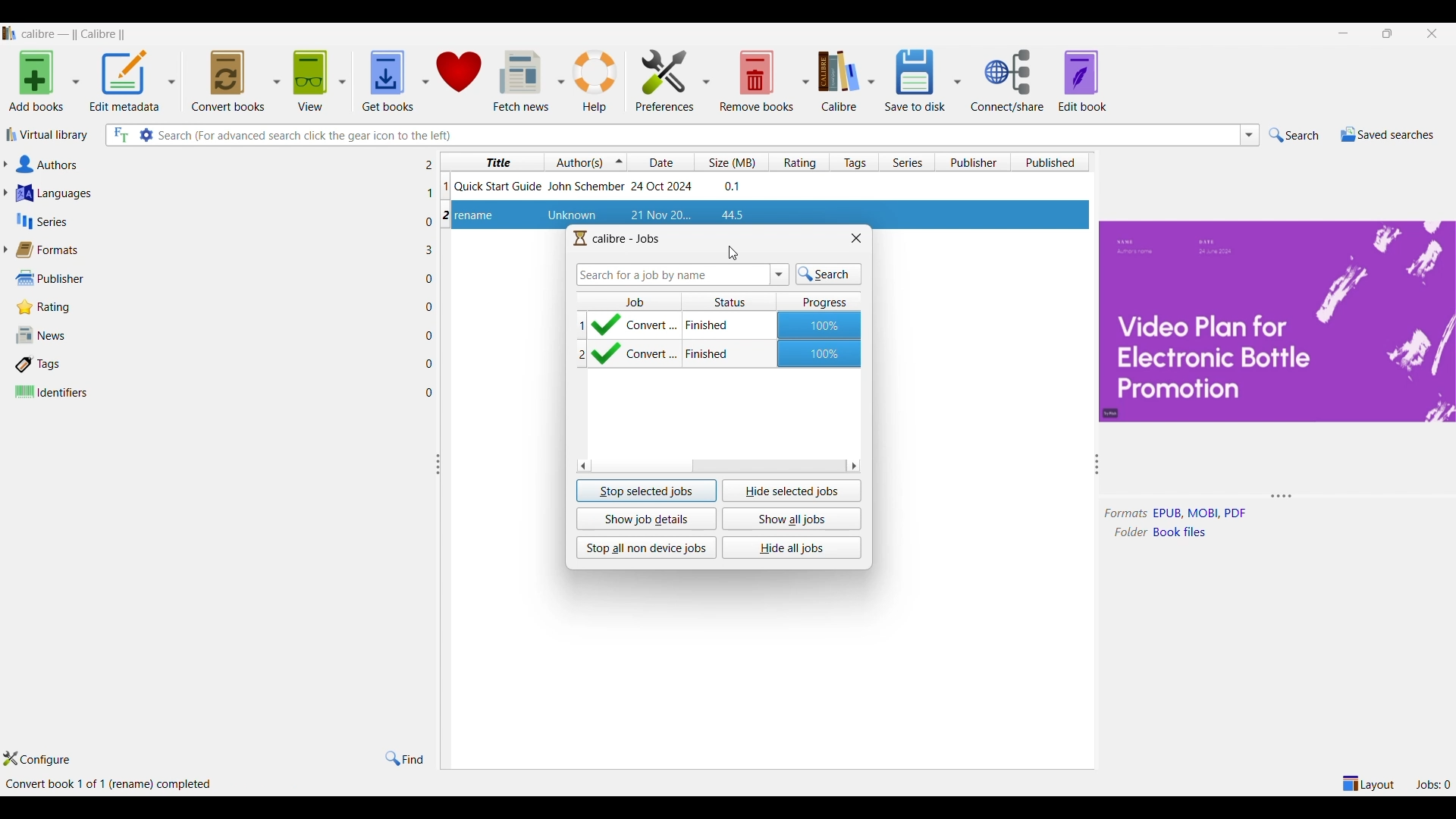 The width and height of the screenshot is (1456, 819). What do you see at coordinates (729, 299) in the screenshot?
I see `Status column` at bounding box center [729, 299].